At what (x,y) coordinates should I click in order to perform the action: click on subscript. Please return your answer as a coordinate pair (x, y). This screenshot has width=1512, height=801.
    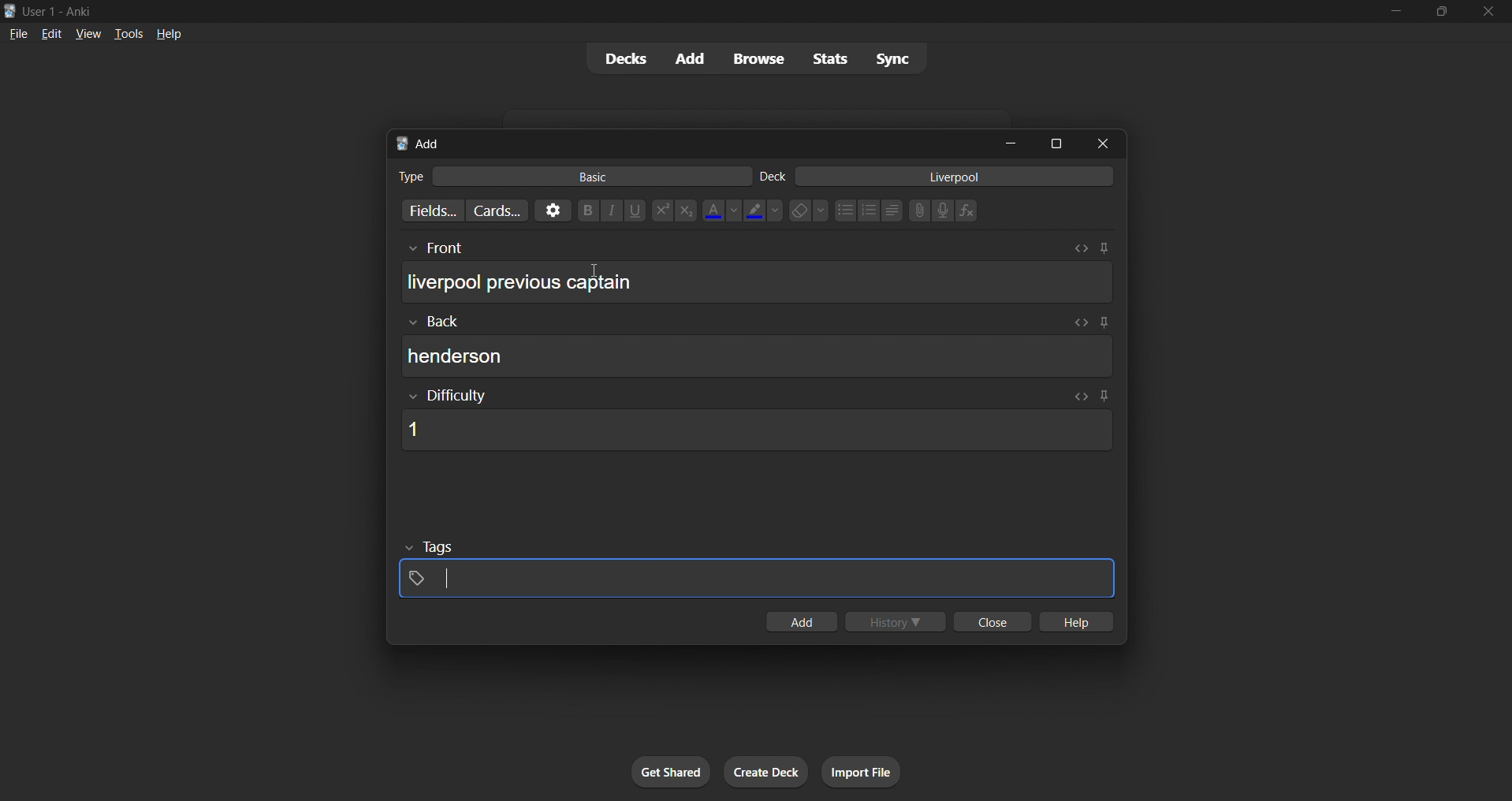
    Looking at the image, I should click on (684, 210).